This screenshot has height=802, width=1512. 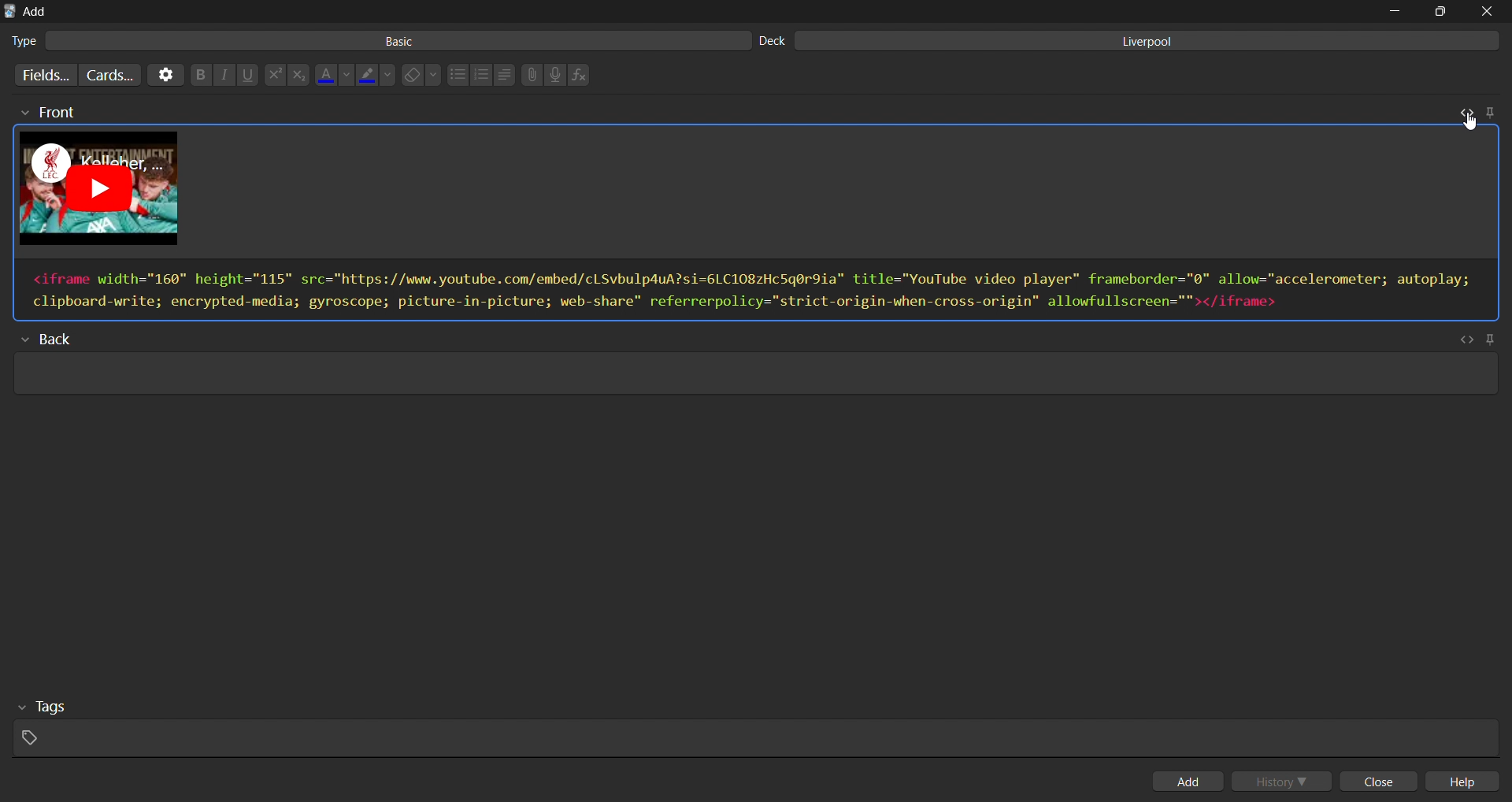 I want to click on attach files, so click(x=531, y=75).